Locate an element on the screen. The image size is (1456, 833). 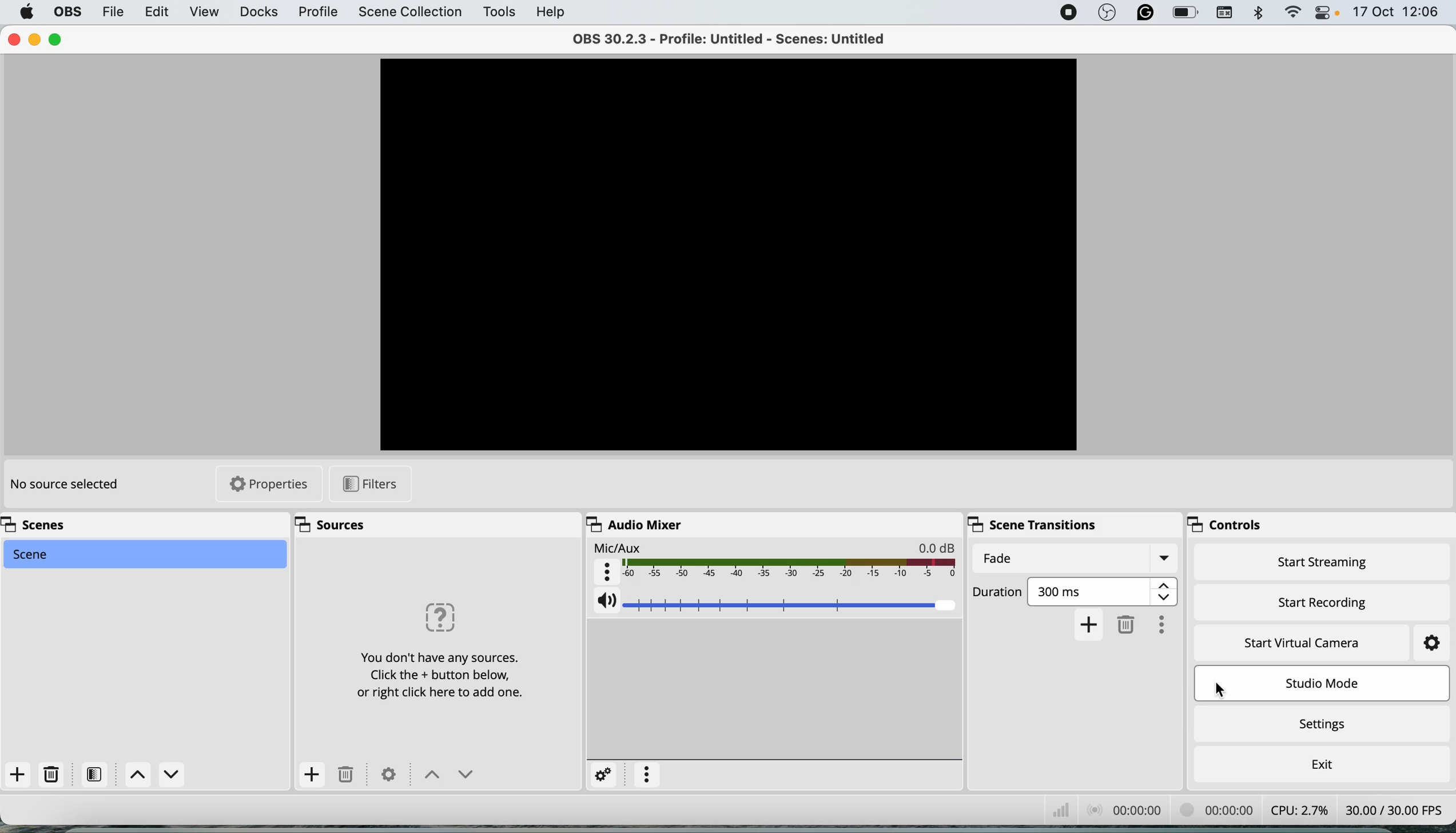
filters is located at coordinates (367, 485).